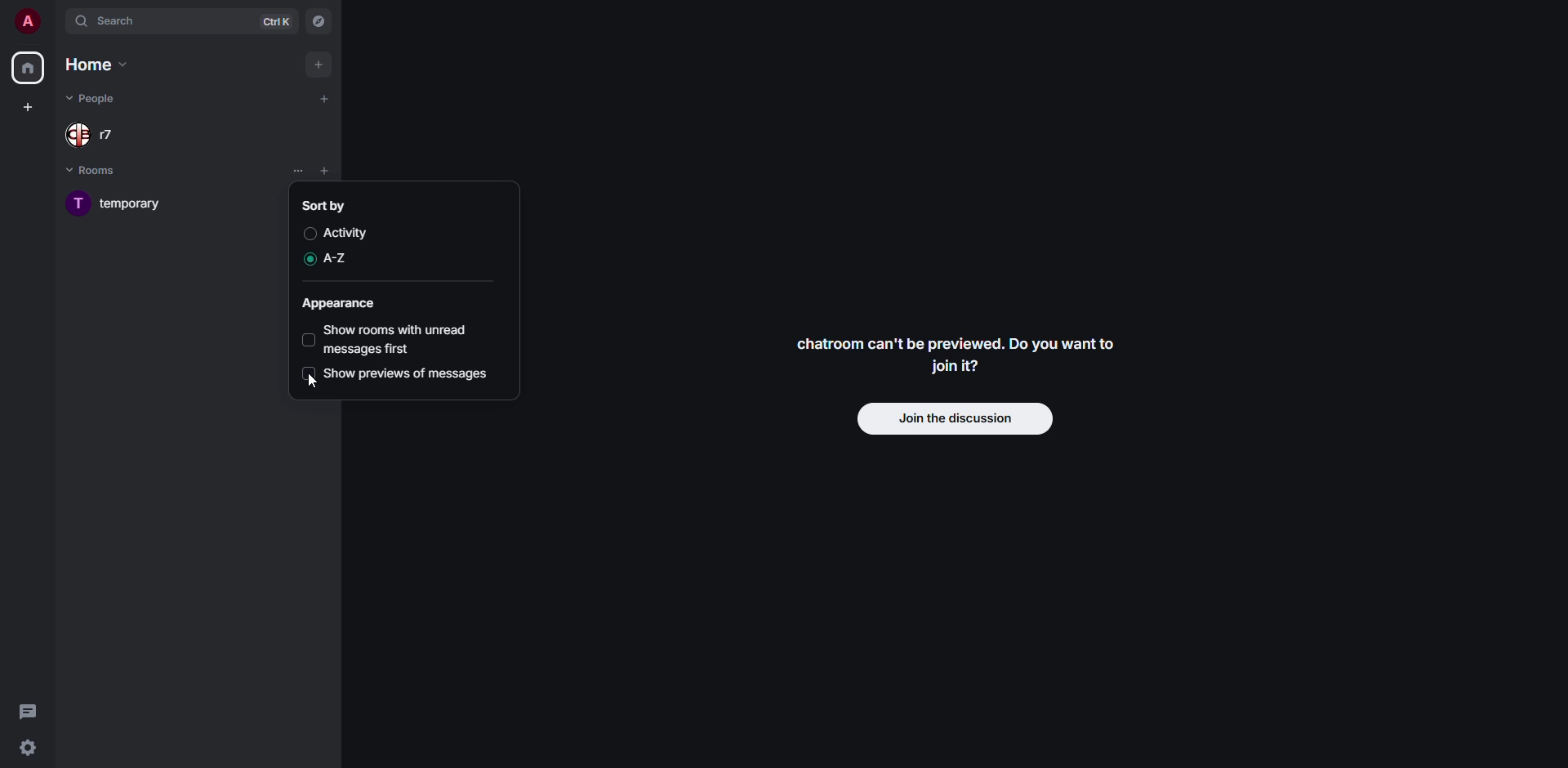 Image resolution: width=1568 pixels, height=768 pixels. I want to click on show rooms with unread messages first, so click(400, 340).